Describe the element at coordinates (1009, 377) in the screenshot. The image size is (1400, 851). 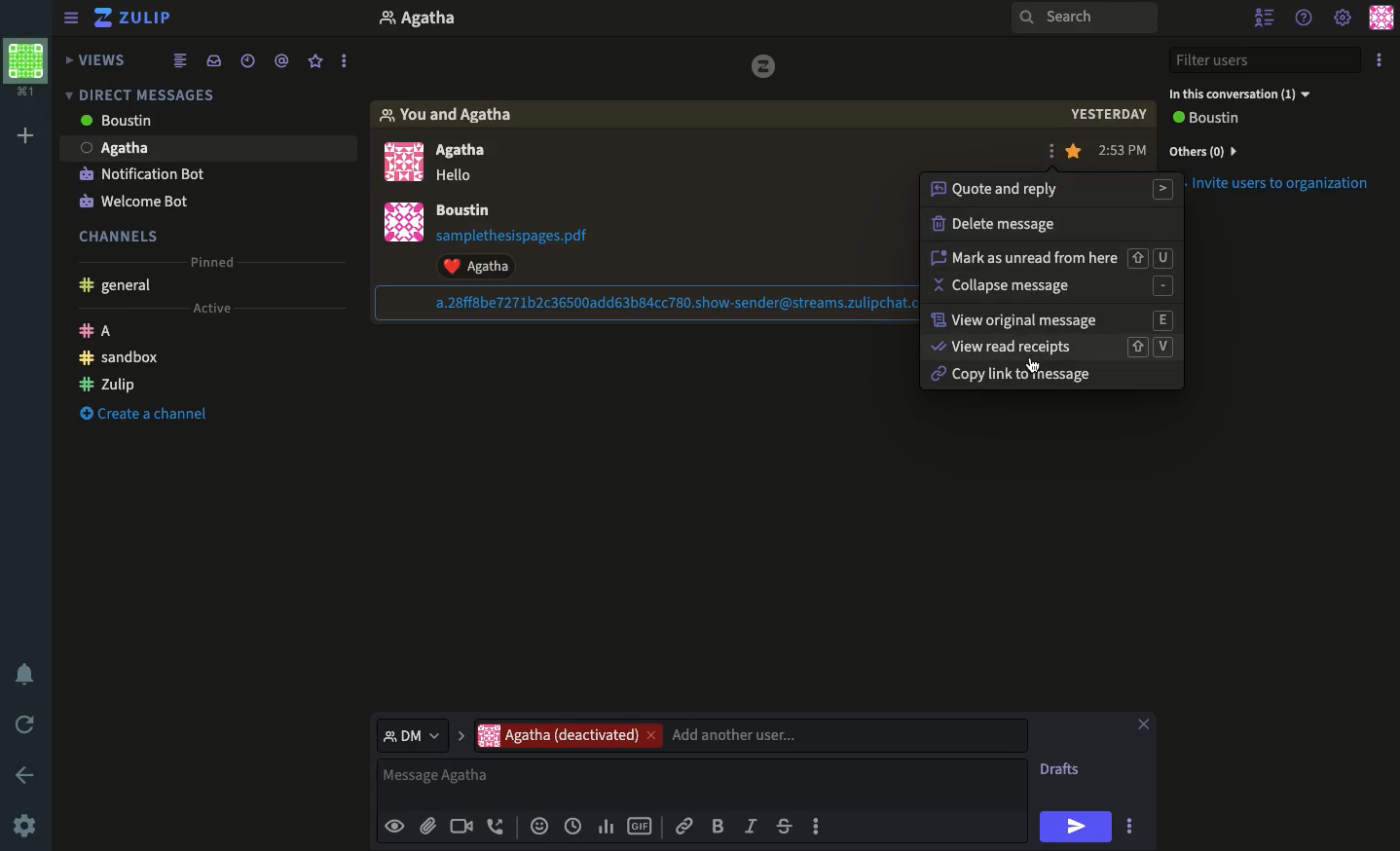
I see `Copy link to message` at that location.